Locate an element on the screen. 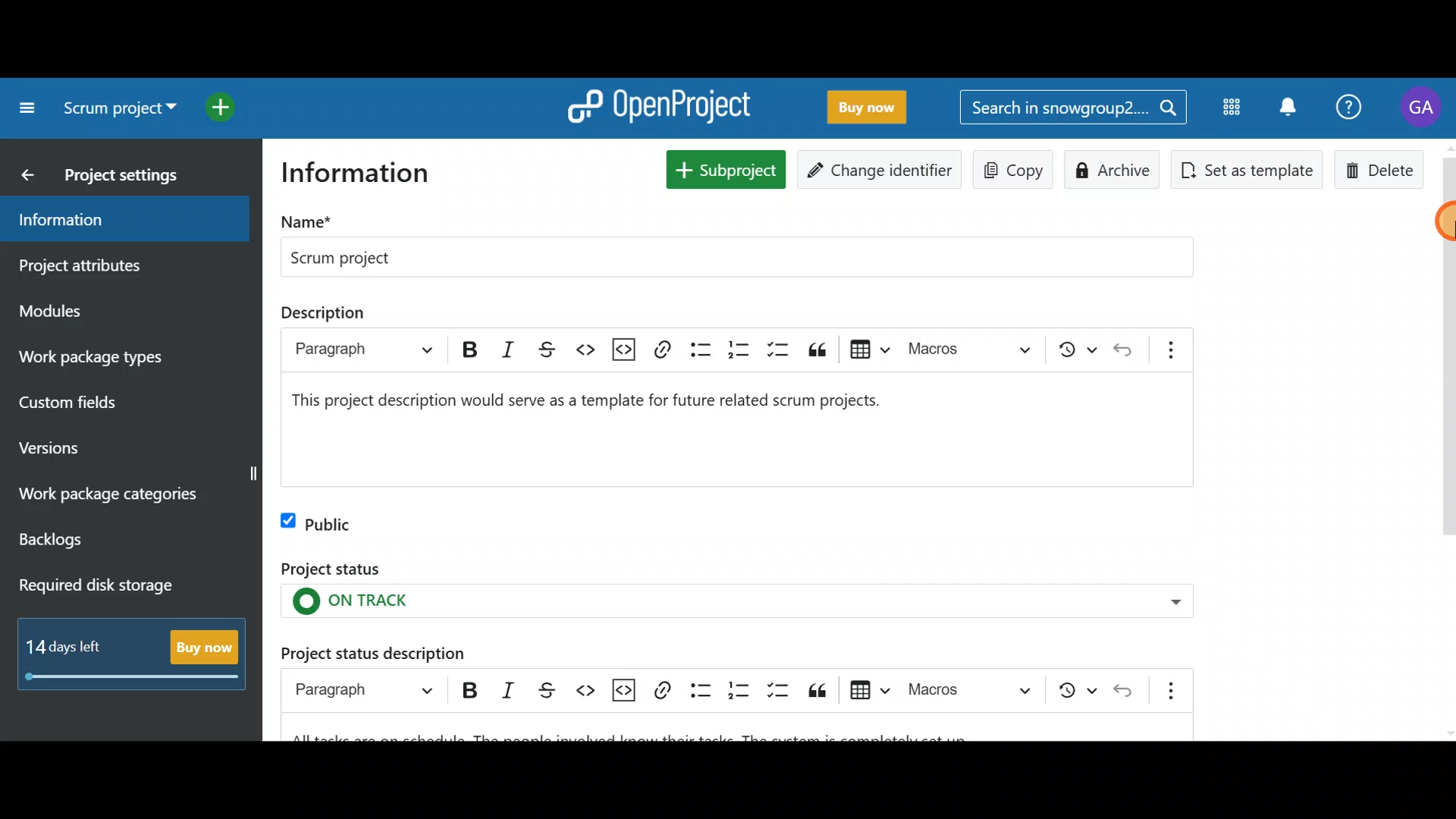 The image size is (1456, 819). Account name is located at coordinates (1424, 108).